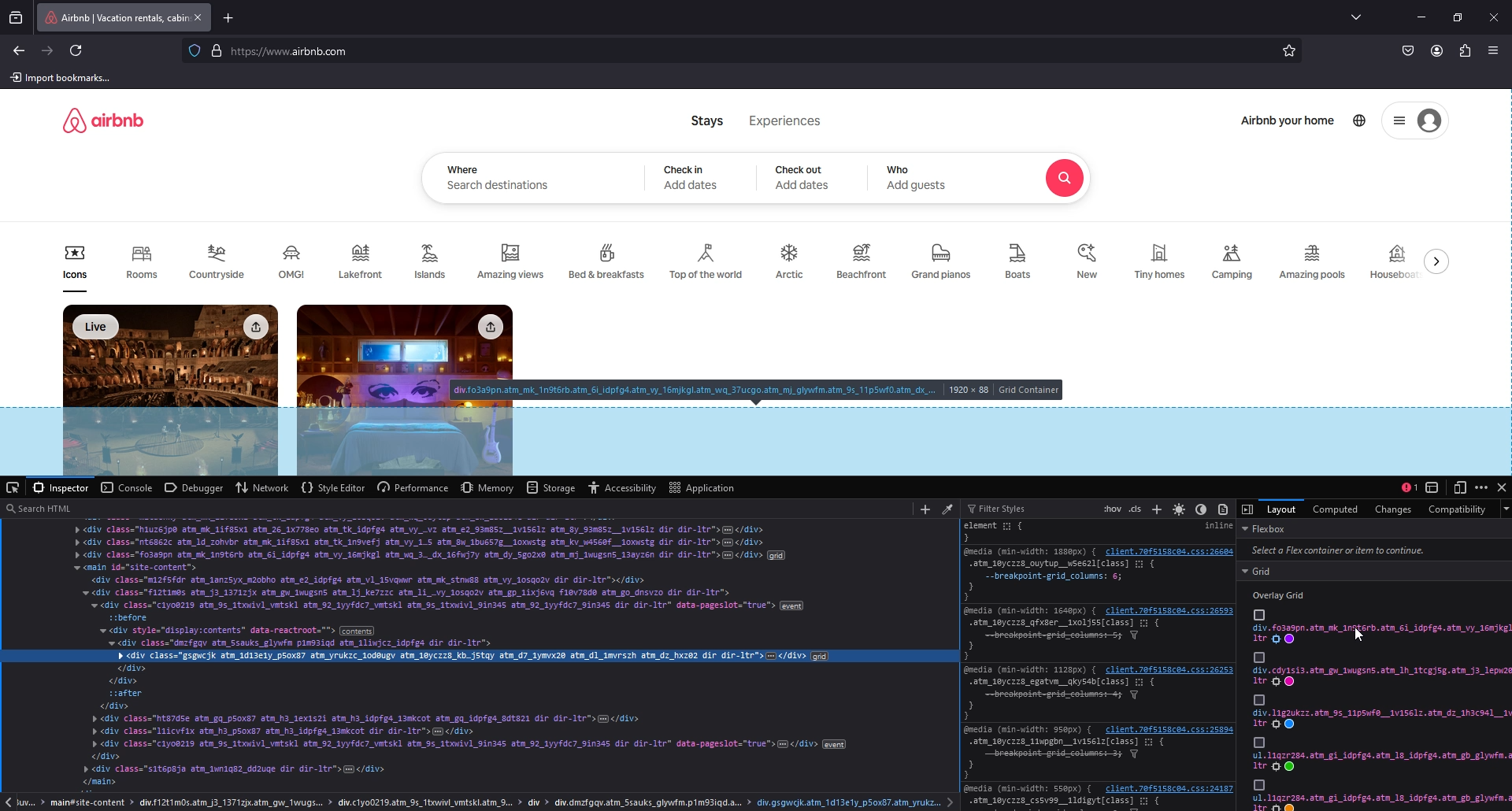  What do you see at coordinates (1458, 18) in the screenshot?
I see `resize` at bounding box center [1458, 18].